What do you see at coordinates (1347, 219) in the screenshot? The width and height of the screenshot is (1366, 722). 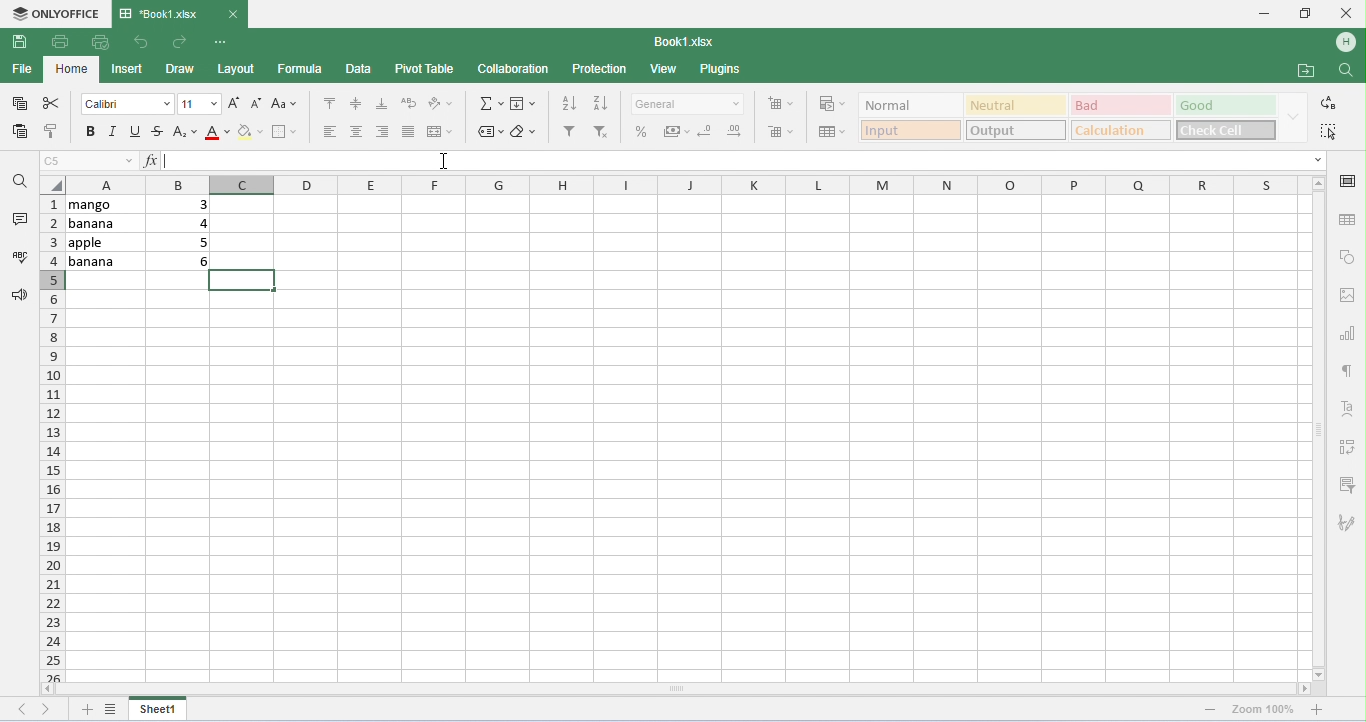 I see `table settings` at bounding box center [1347, 219].